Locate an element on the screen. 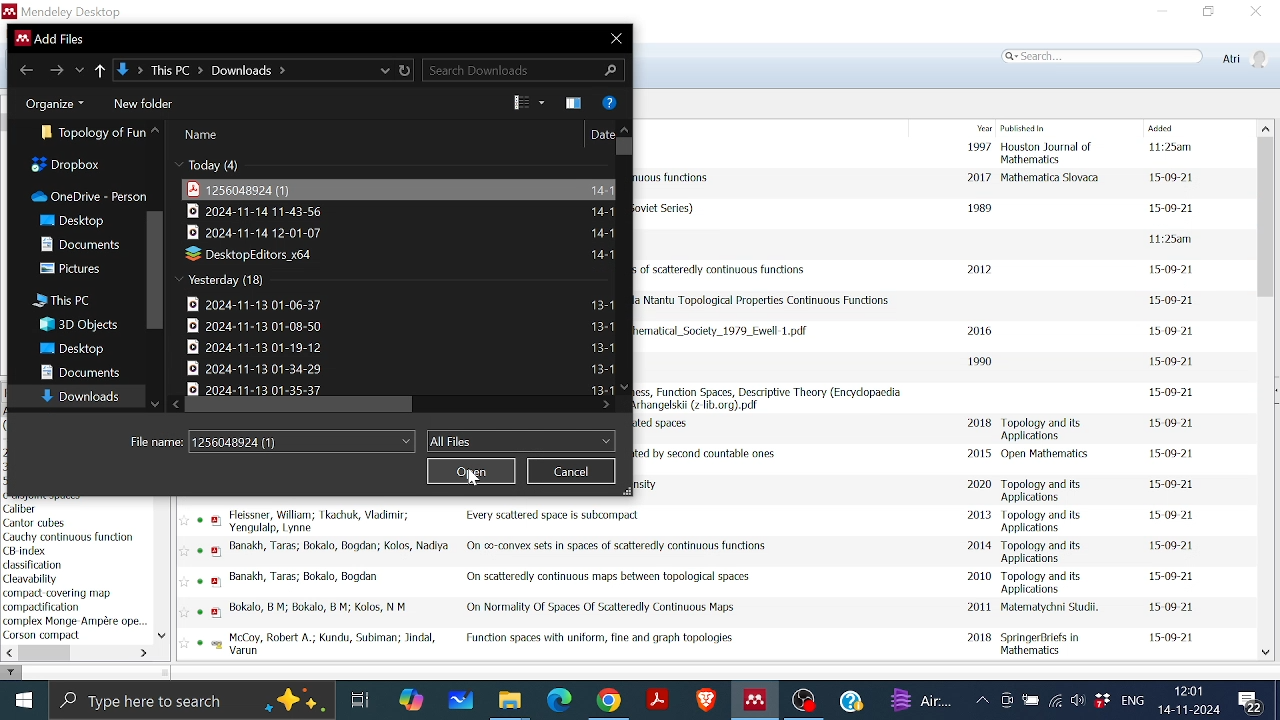  Desktop is located at coordinates (83, 220).